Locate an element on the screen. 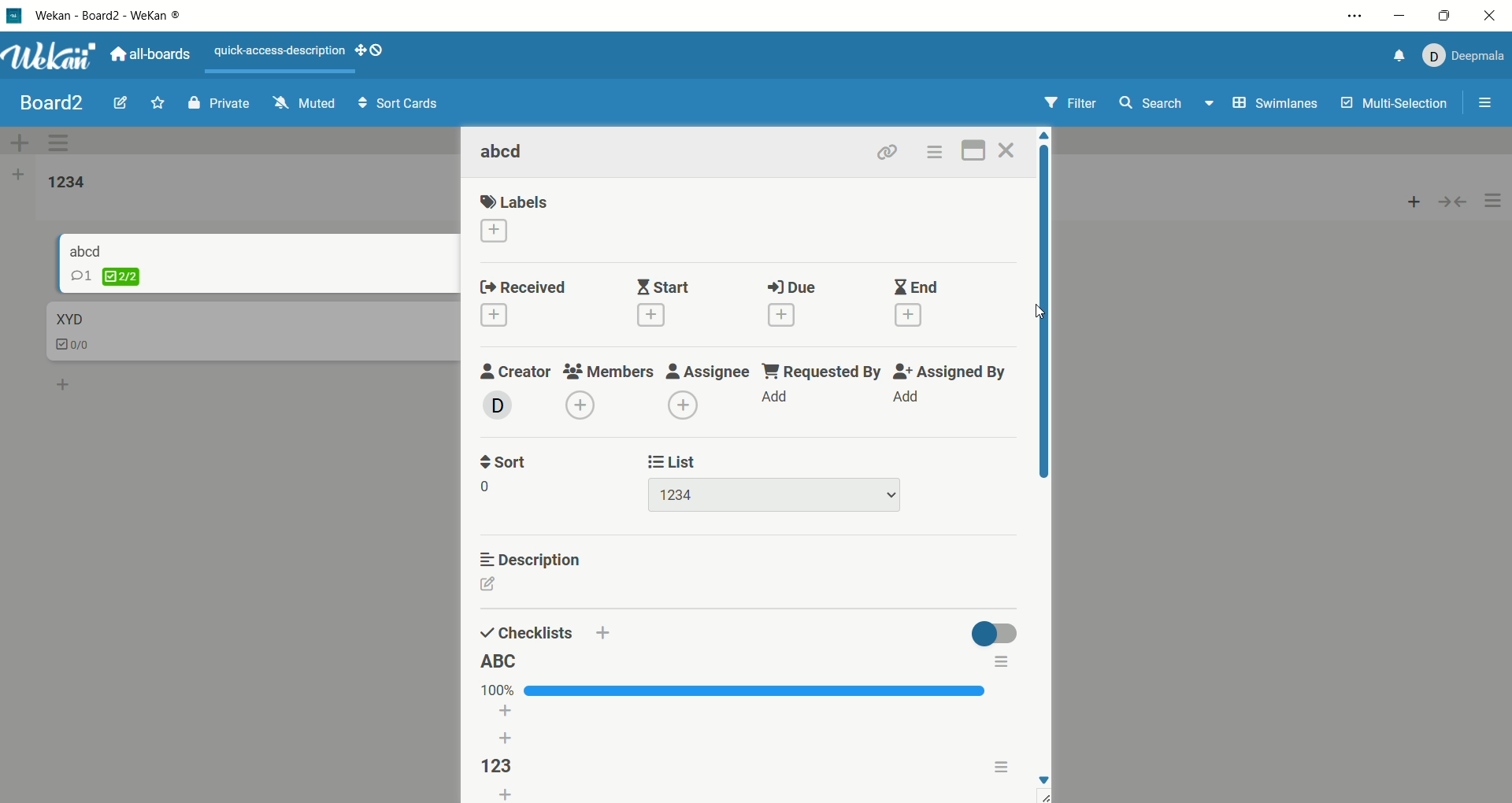 The image size is (1512, 803). maximize is located at coordinates (975, 149).